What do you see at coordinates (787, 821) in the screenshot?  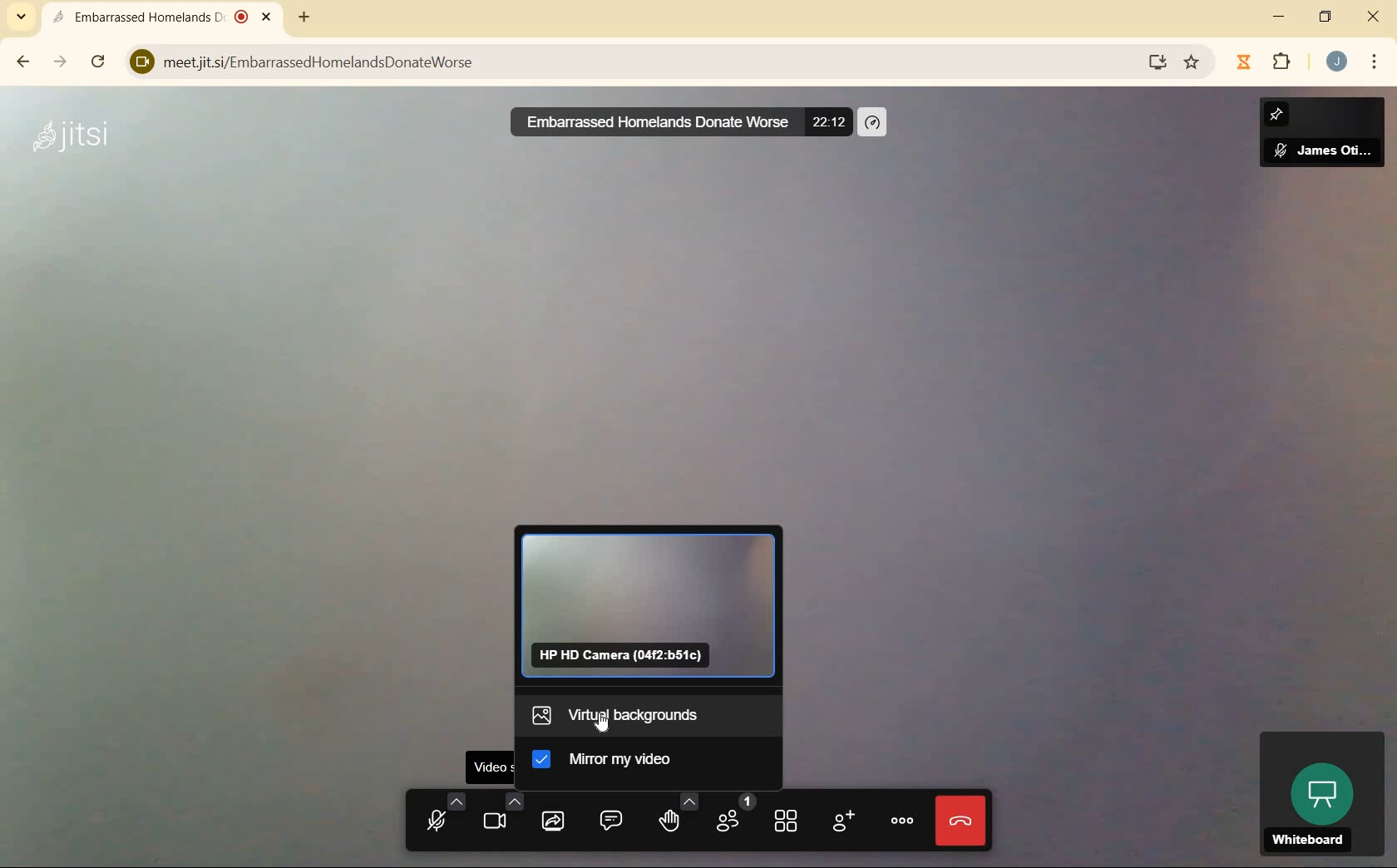 I see `toggle tile view` at bounding box center [787, 821].